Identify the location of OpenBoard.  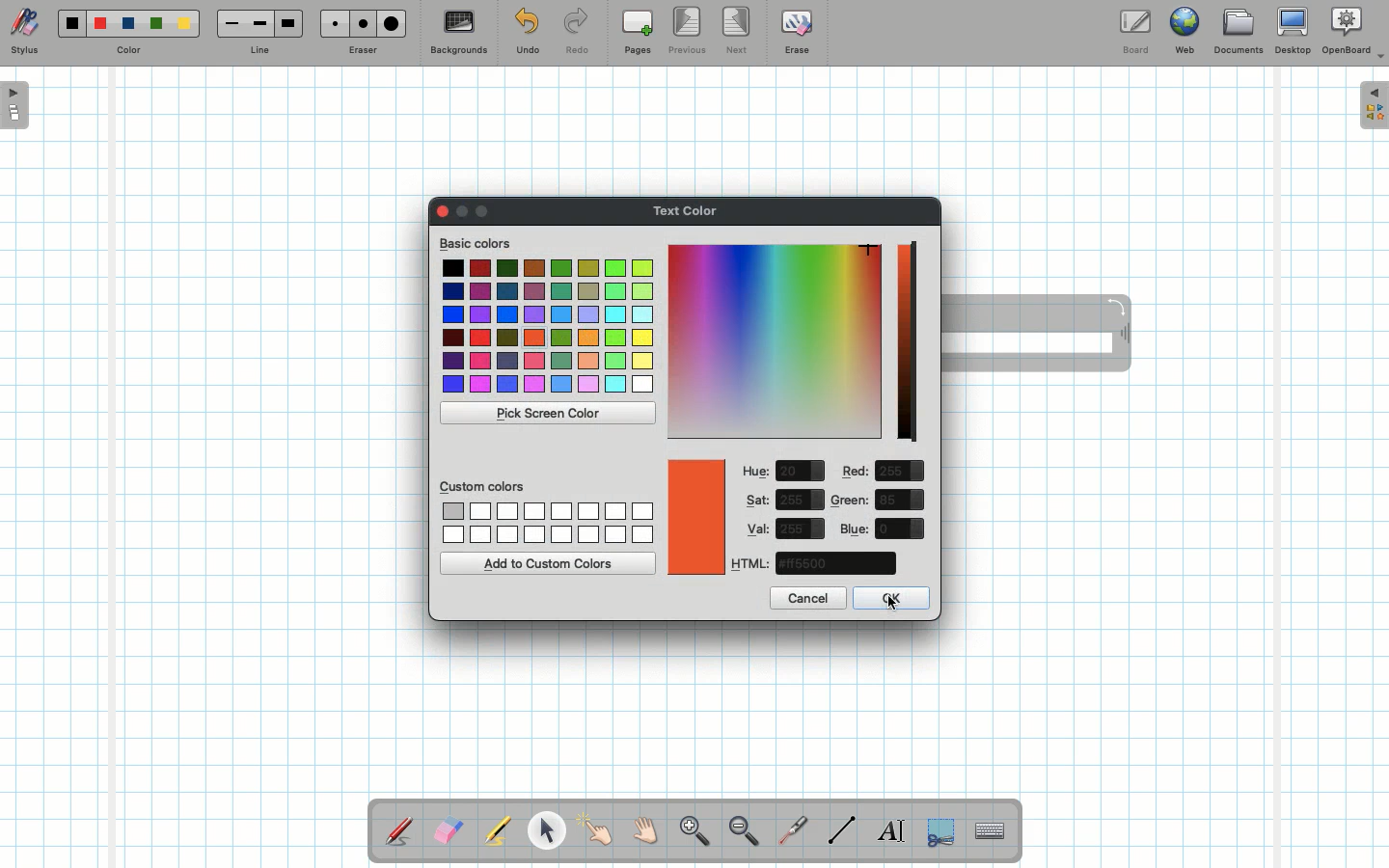
(1353, 31).